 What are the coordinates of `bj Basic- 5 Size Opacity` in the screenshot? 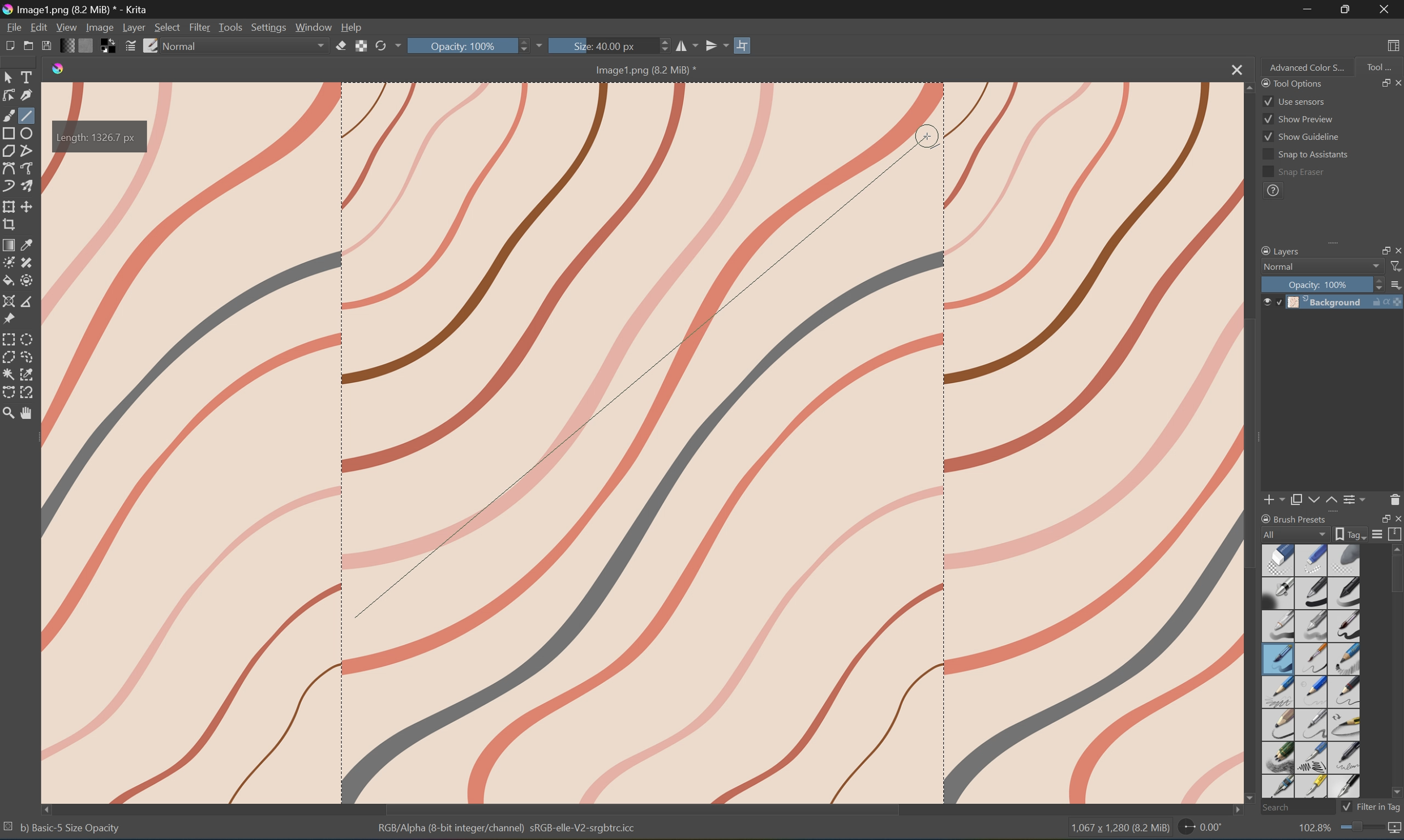 It's located at (70, 828).